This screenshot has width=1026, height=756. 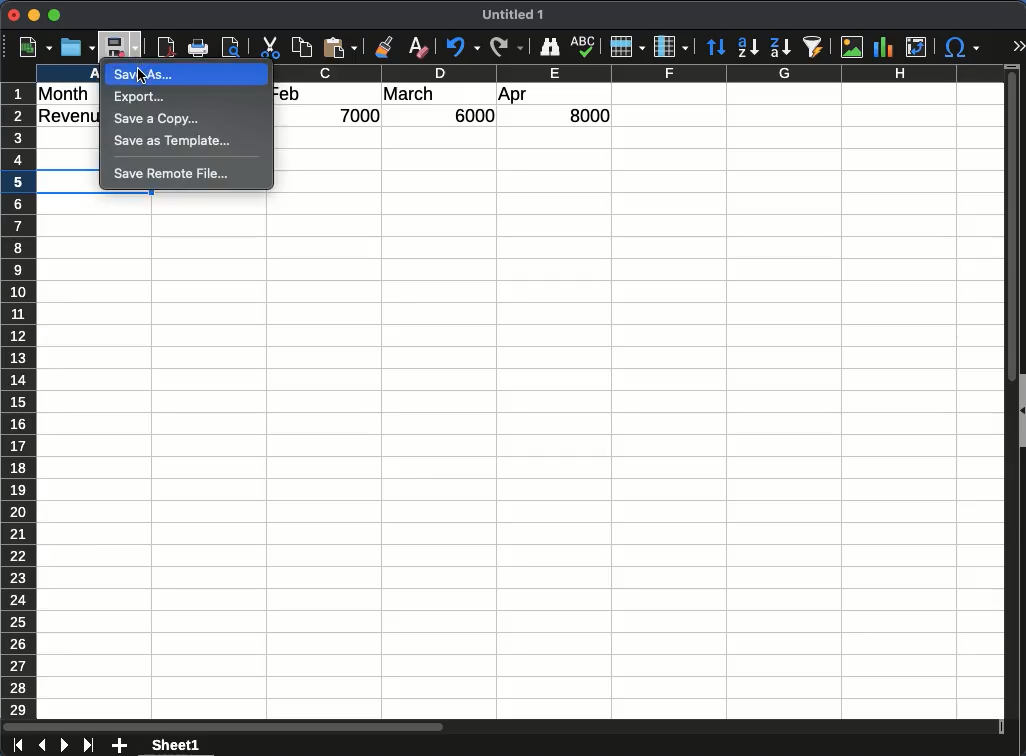 I want to click on clear formatting, so click(x=418, y=47).